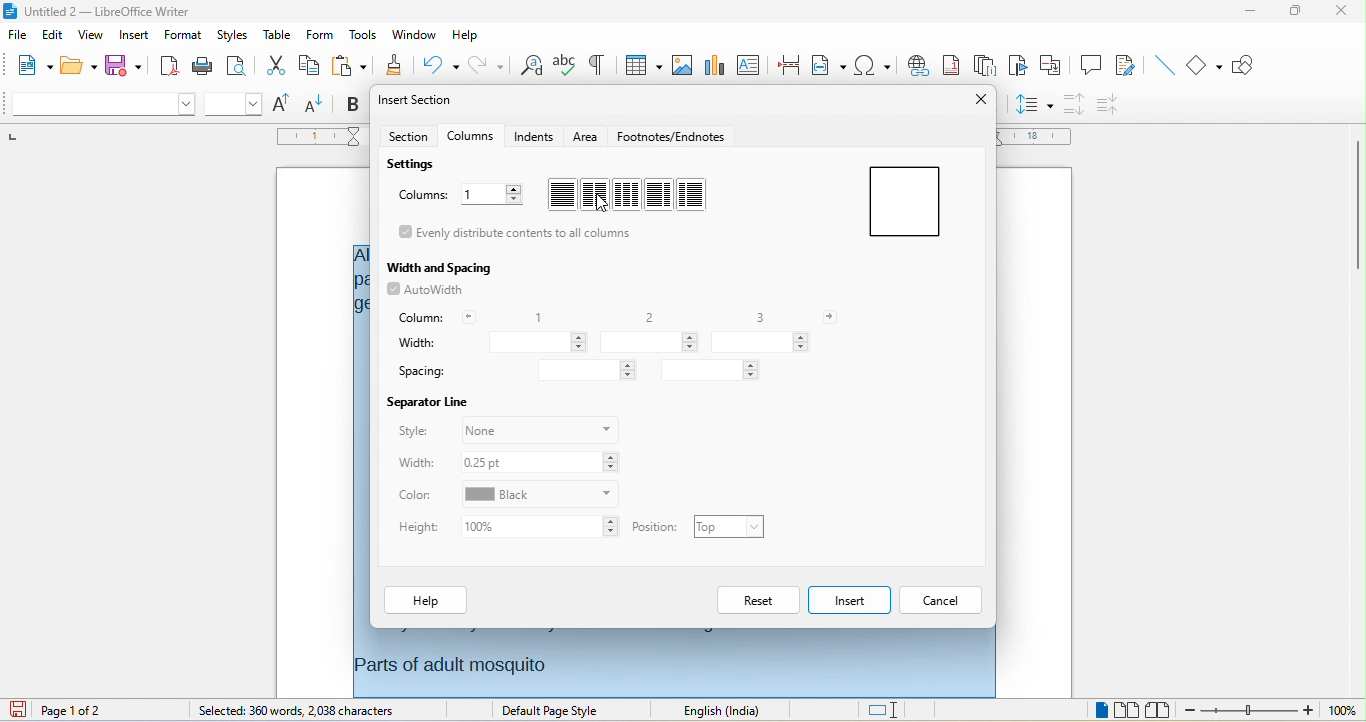 The image size is (1366, 722). I want to click on chart, so click(715, 64).